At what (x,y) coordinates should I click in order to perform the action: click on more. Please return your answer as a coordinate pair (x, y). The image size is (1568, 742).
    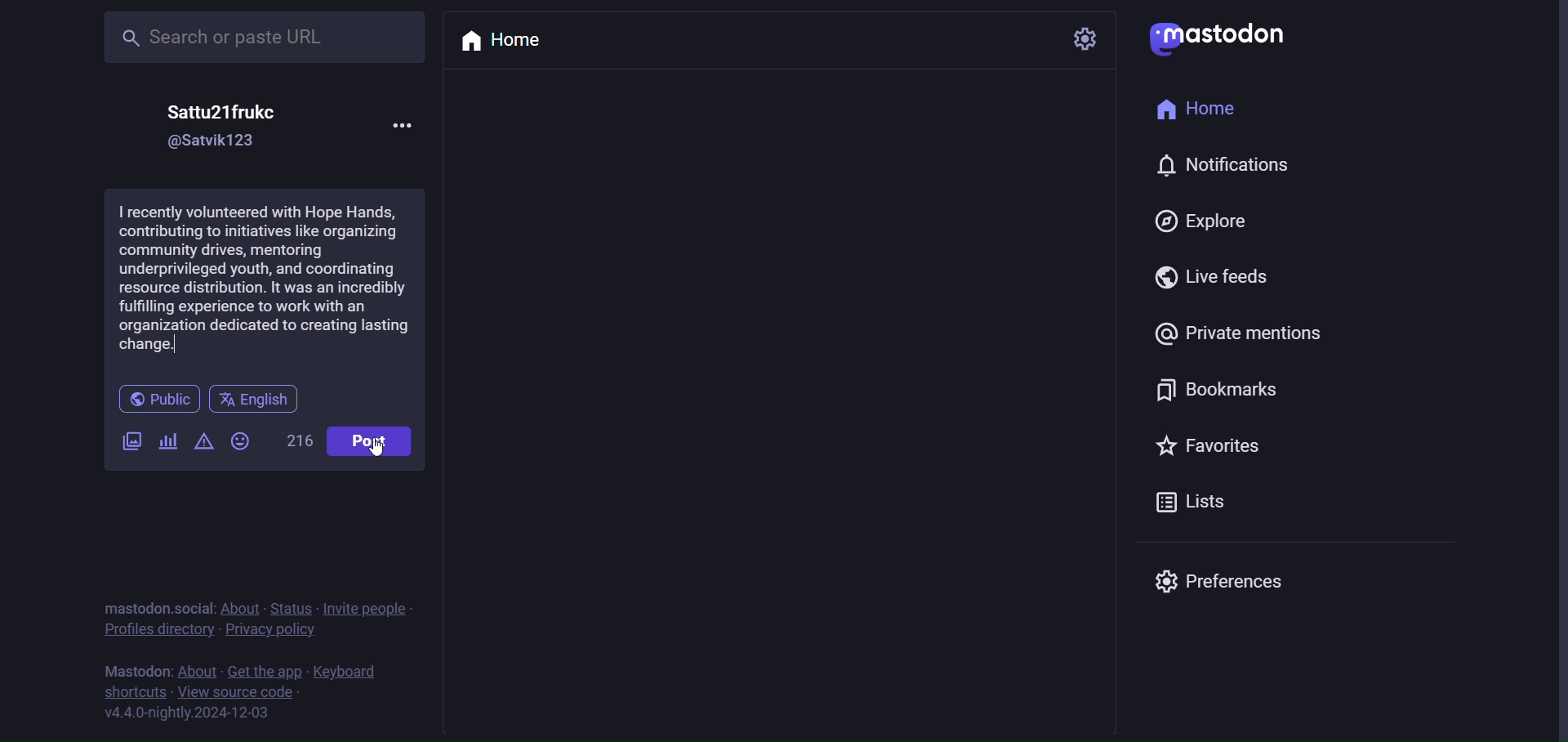
    Looking at the image, I should click on (400, 125).